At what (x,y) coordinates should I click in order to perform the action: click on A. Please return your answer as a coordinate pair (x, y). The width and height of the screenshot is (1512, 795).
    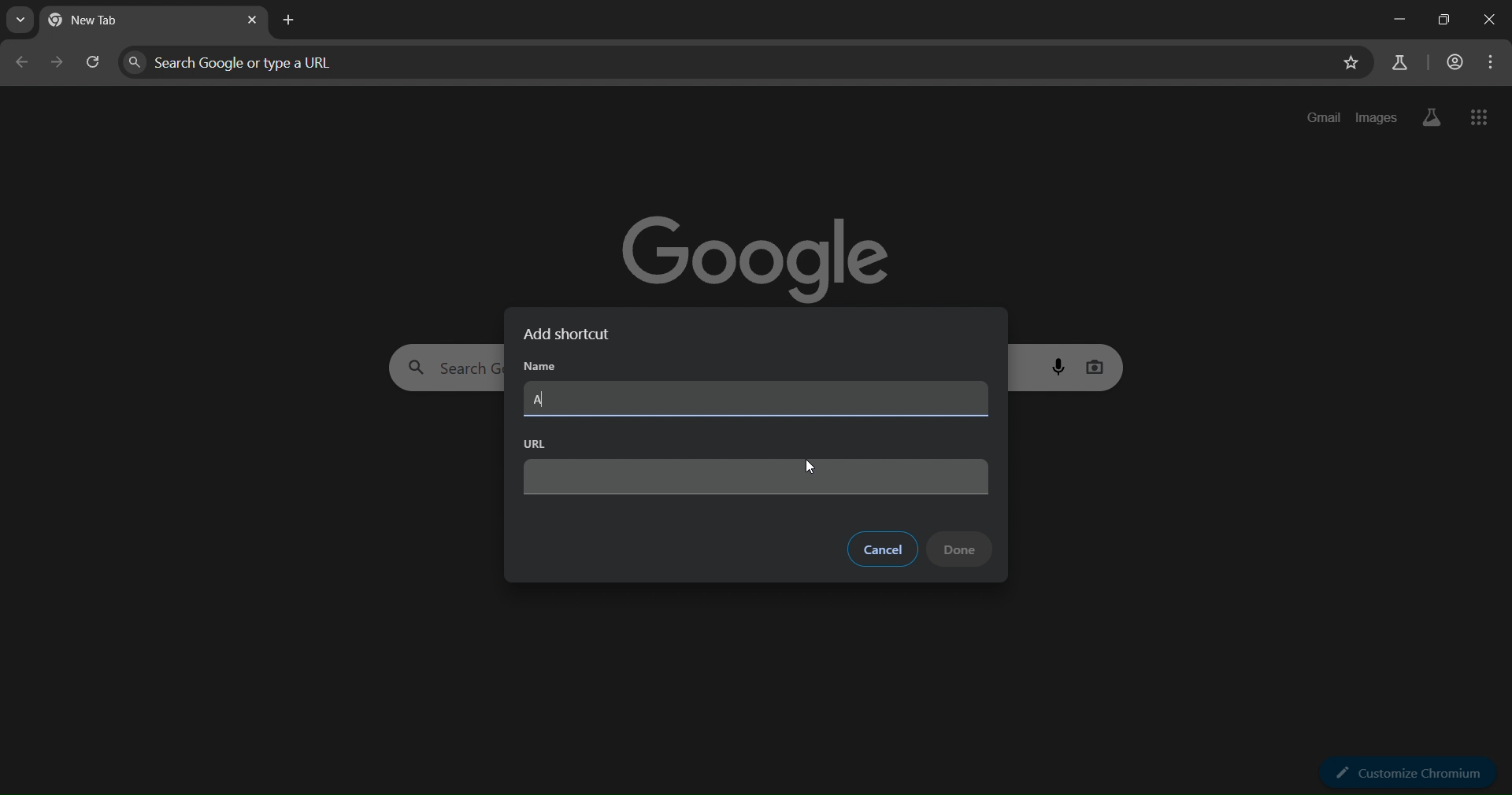
    Looking at the image, I should click on (539, 400).